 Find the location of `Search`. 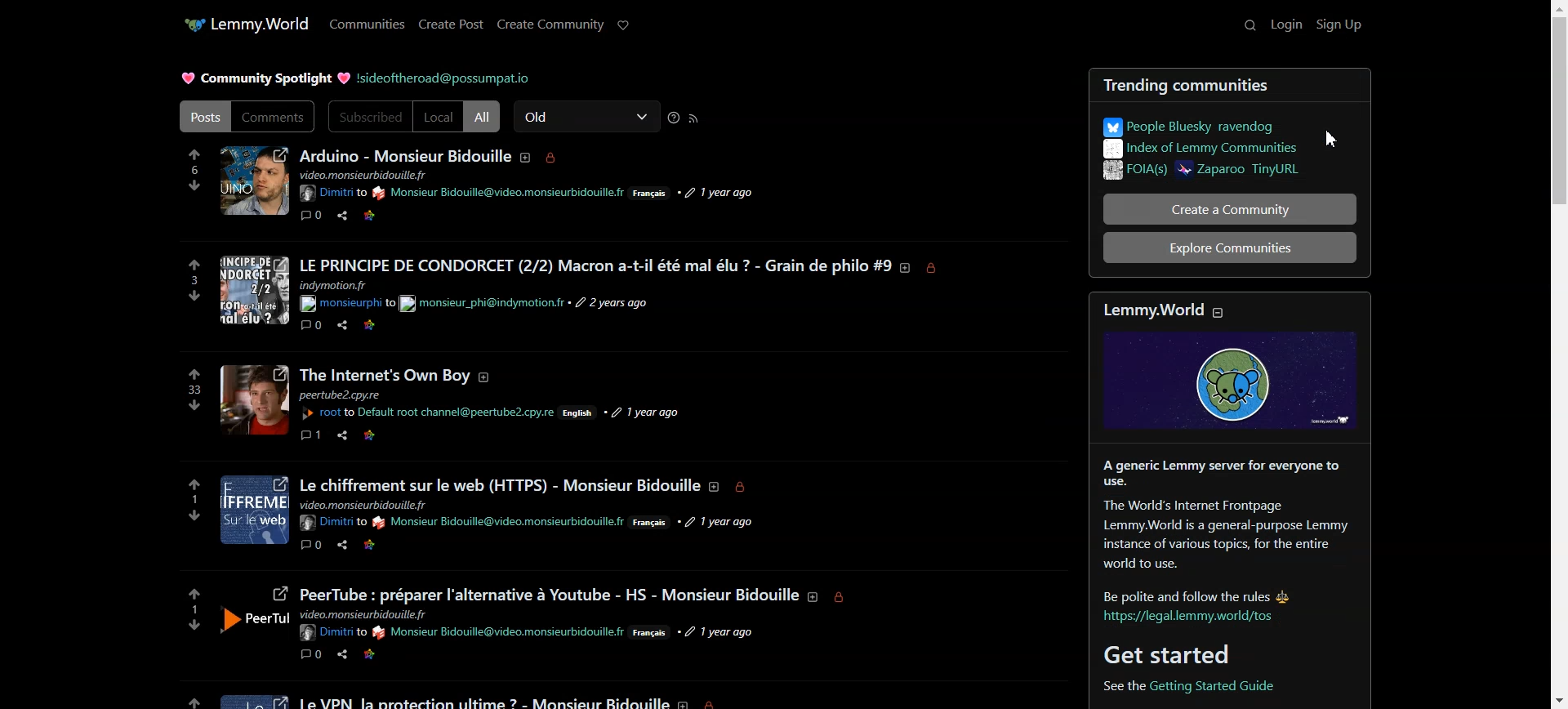

Search is located at coordinates (1241, 25).